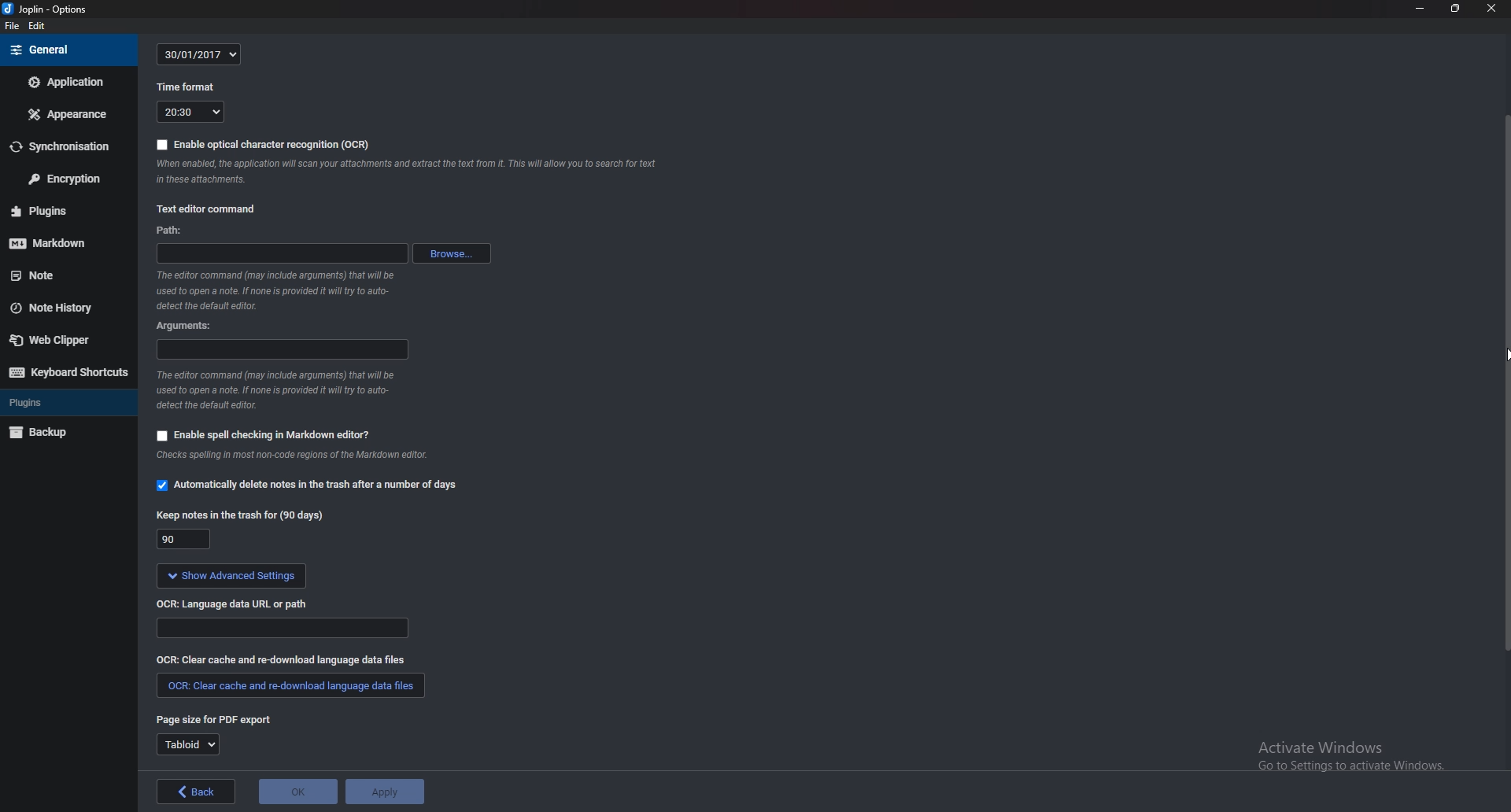 This screenshot has height=812, width=1511. What do you see at coordinates (187, 88) in the screenshot?
I see `time format` at bounding box center [187, 88].